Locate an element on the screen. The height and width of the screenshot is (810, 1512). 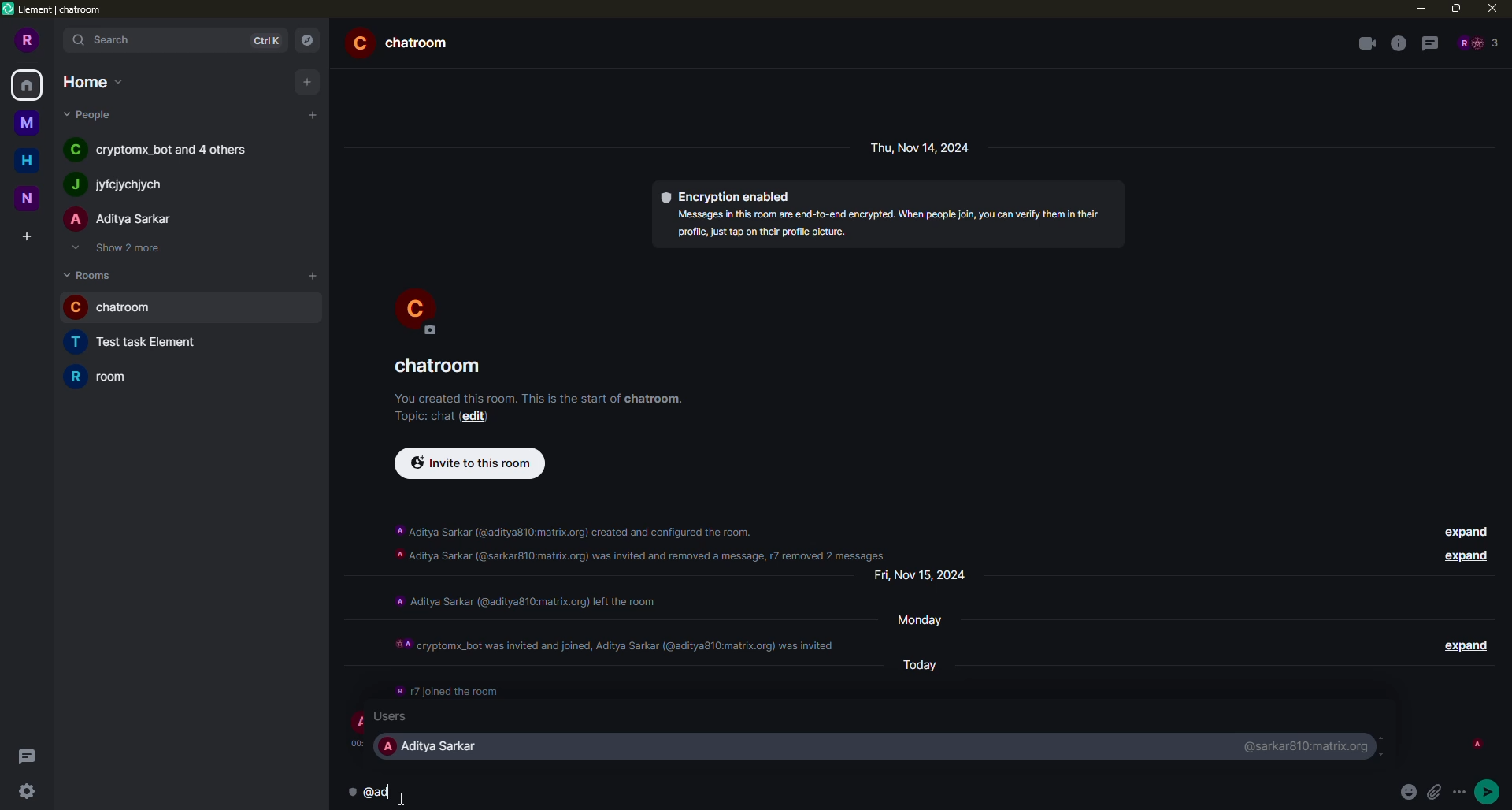
minimize is located at coordinates (1417, 8).